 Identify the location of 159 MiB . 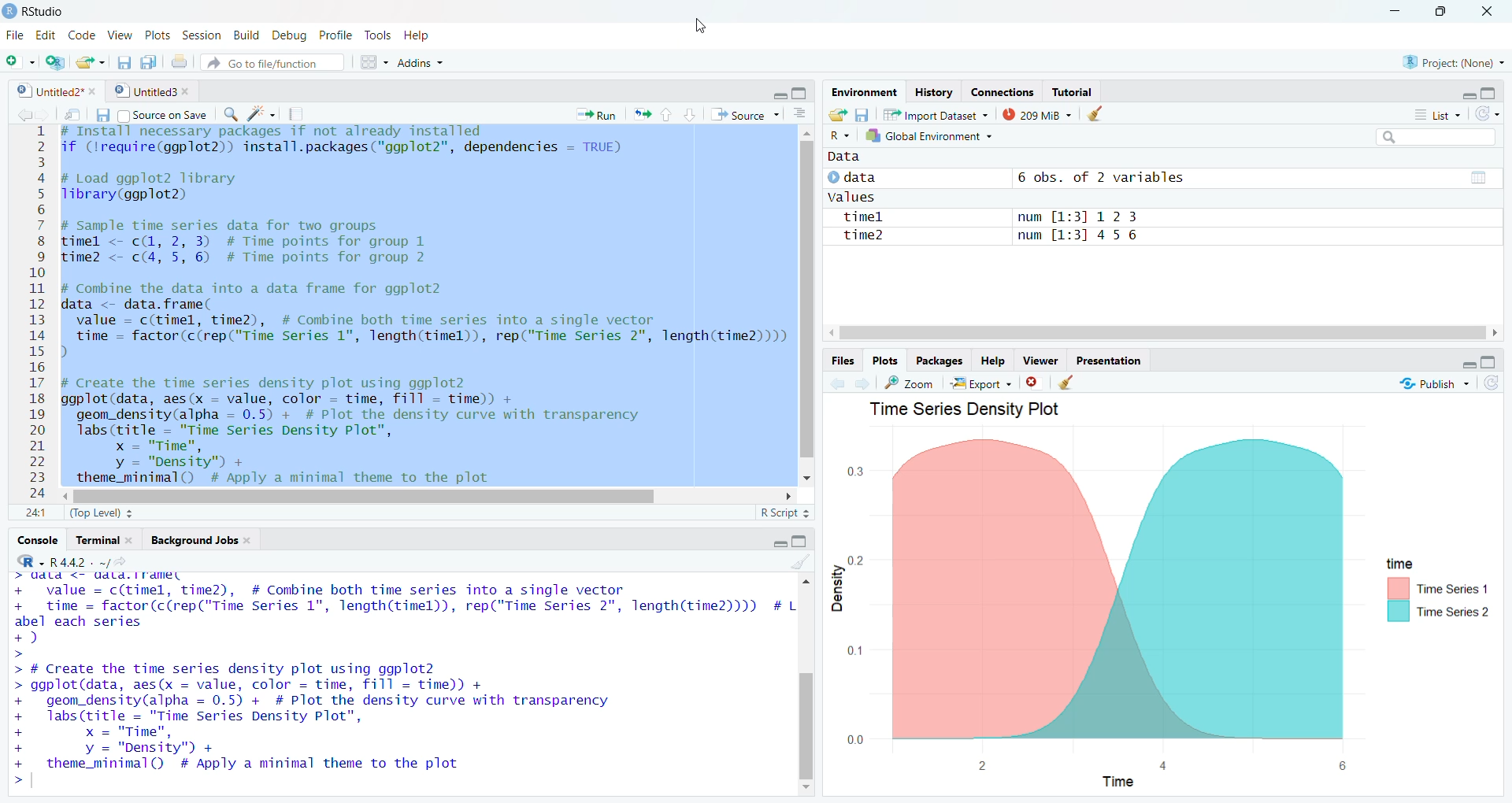
(1035, 114).